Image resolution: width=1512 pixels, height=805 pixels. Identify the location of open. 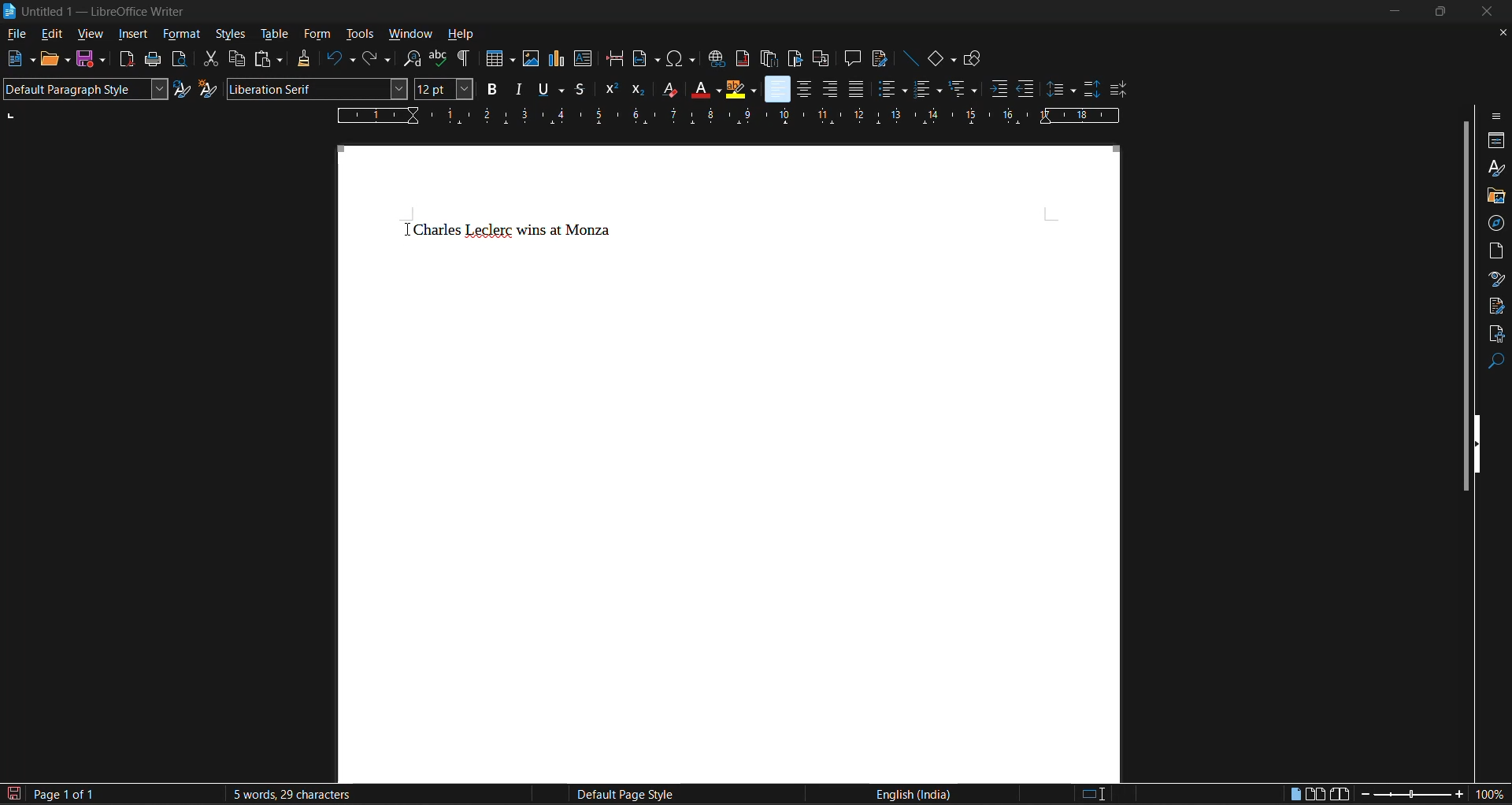
(58, 61).